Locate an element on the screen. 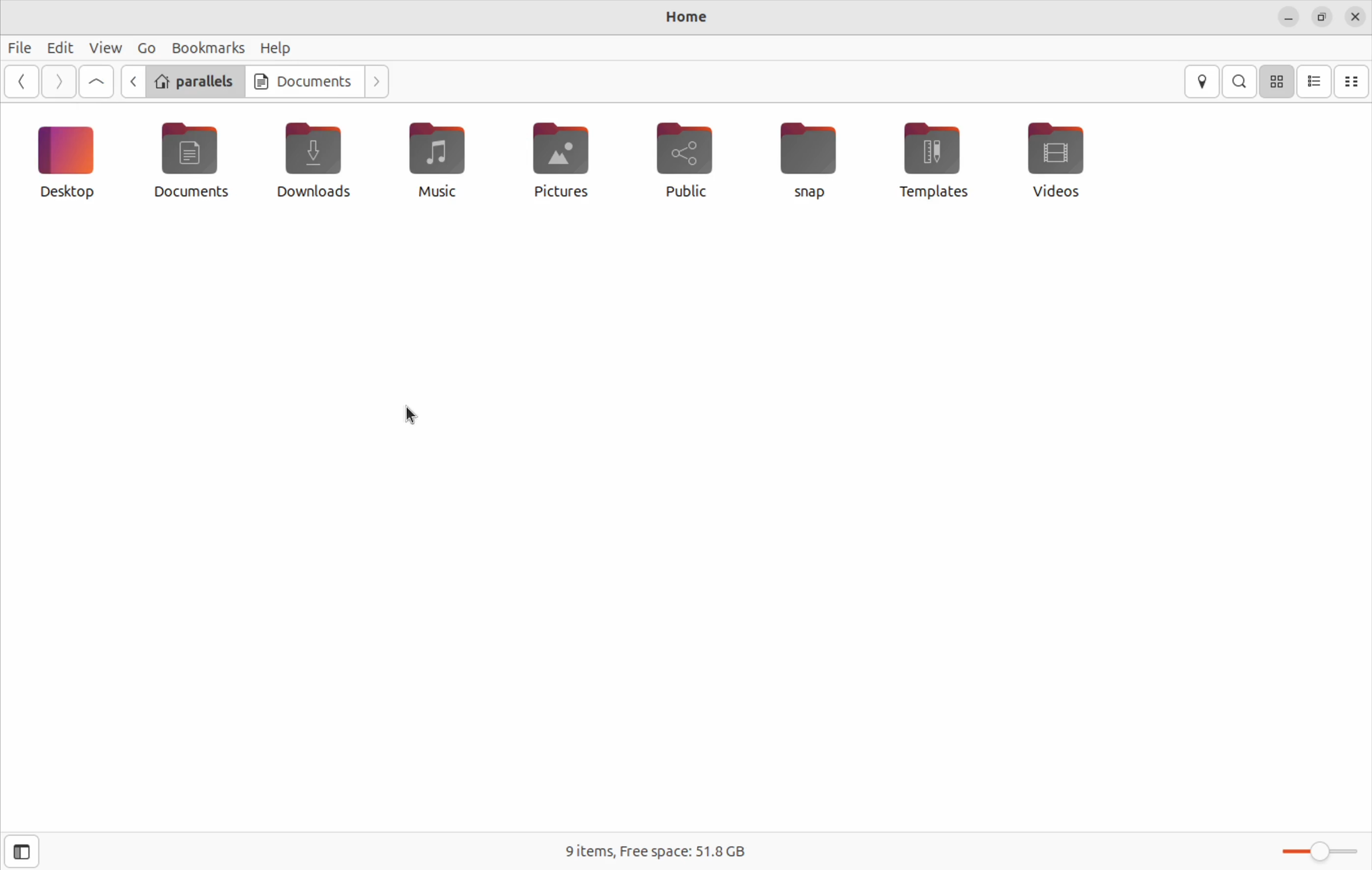  cursor is located at coordinates (109, 54).